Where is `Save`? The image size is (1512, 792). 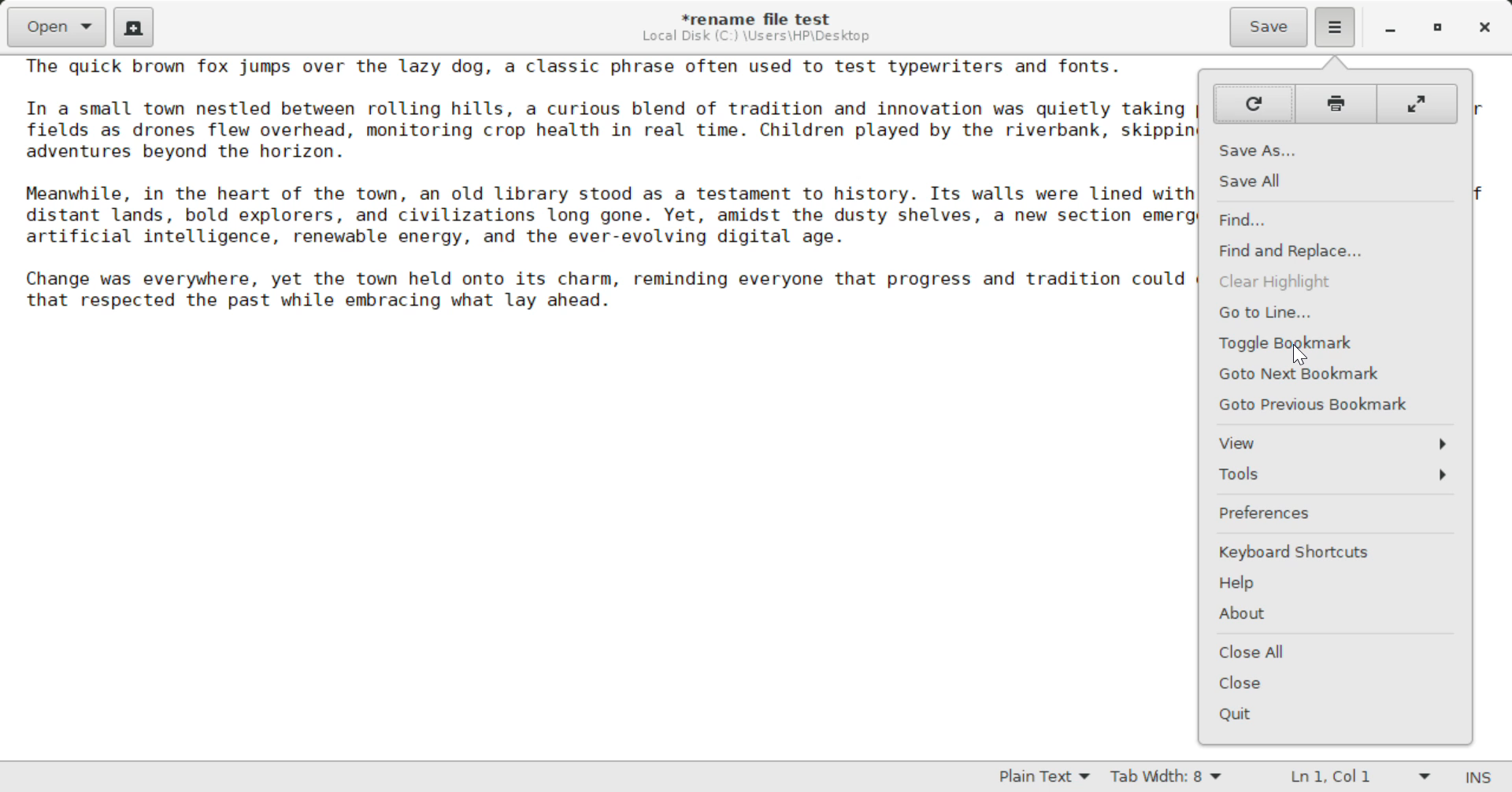
Save is located at coordinates (1269, 28).